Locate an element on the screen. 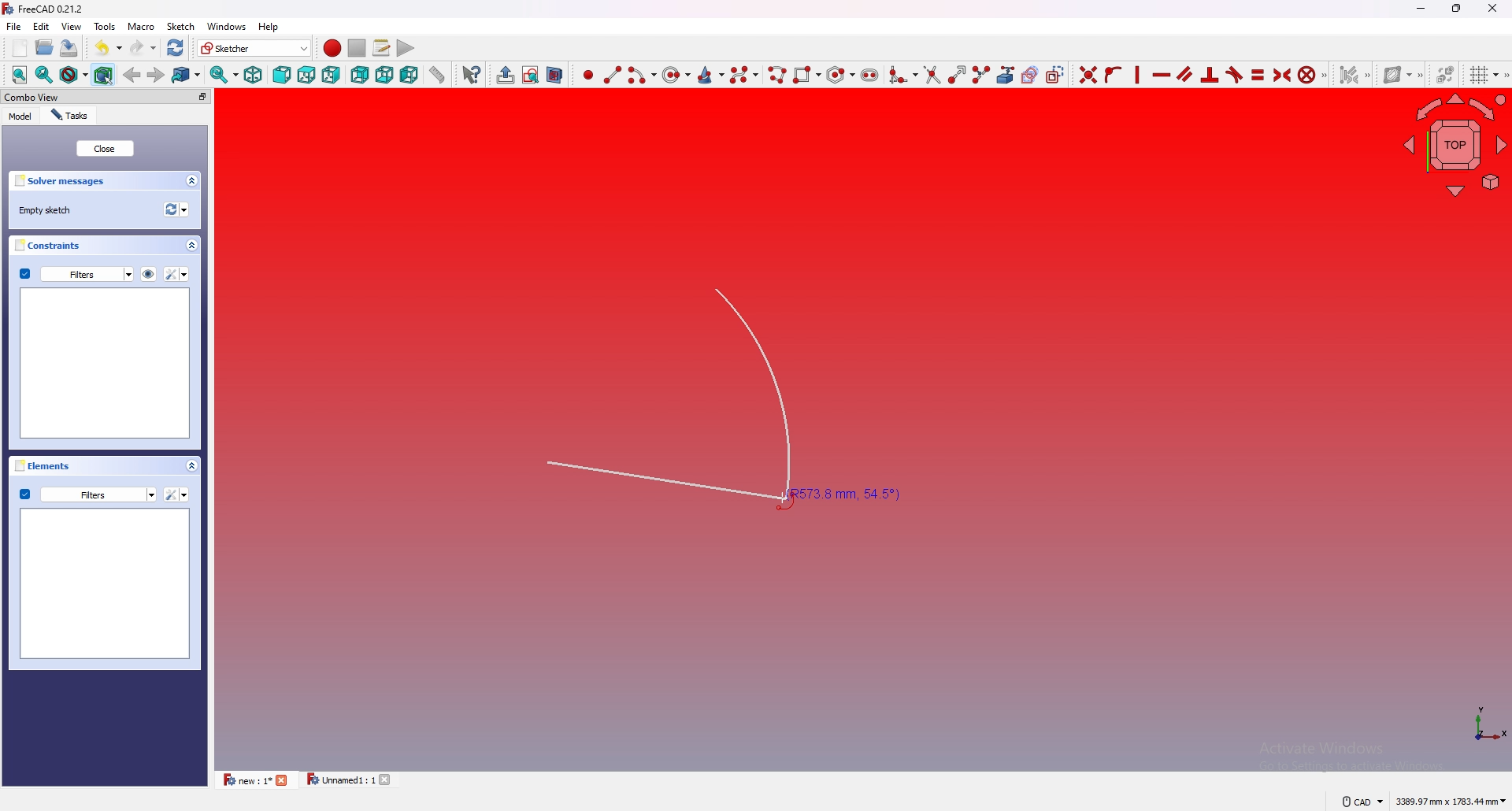 This screenshot has width=1512, height=811. toggle construction geometry is located at coordinates (1054, 73).